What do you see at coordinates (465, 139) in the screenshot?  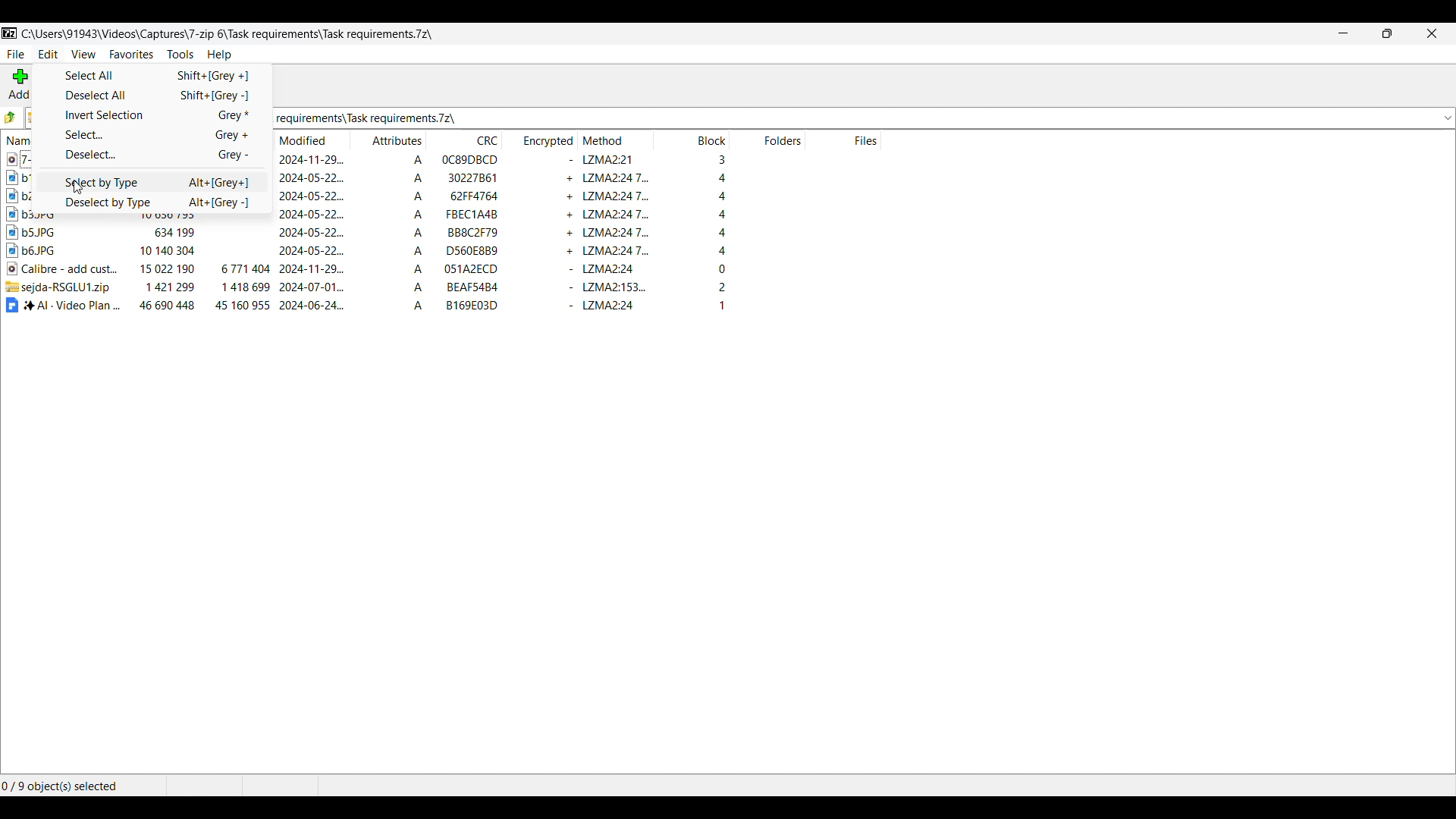 I see `CRC column` at bounding box center [465, 139].